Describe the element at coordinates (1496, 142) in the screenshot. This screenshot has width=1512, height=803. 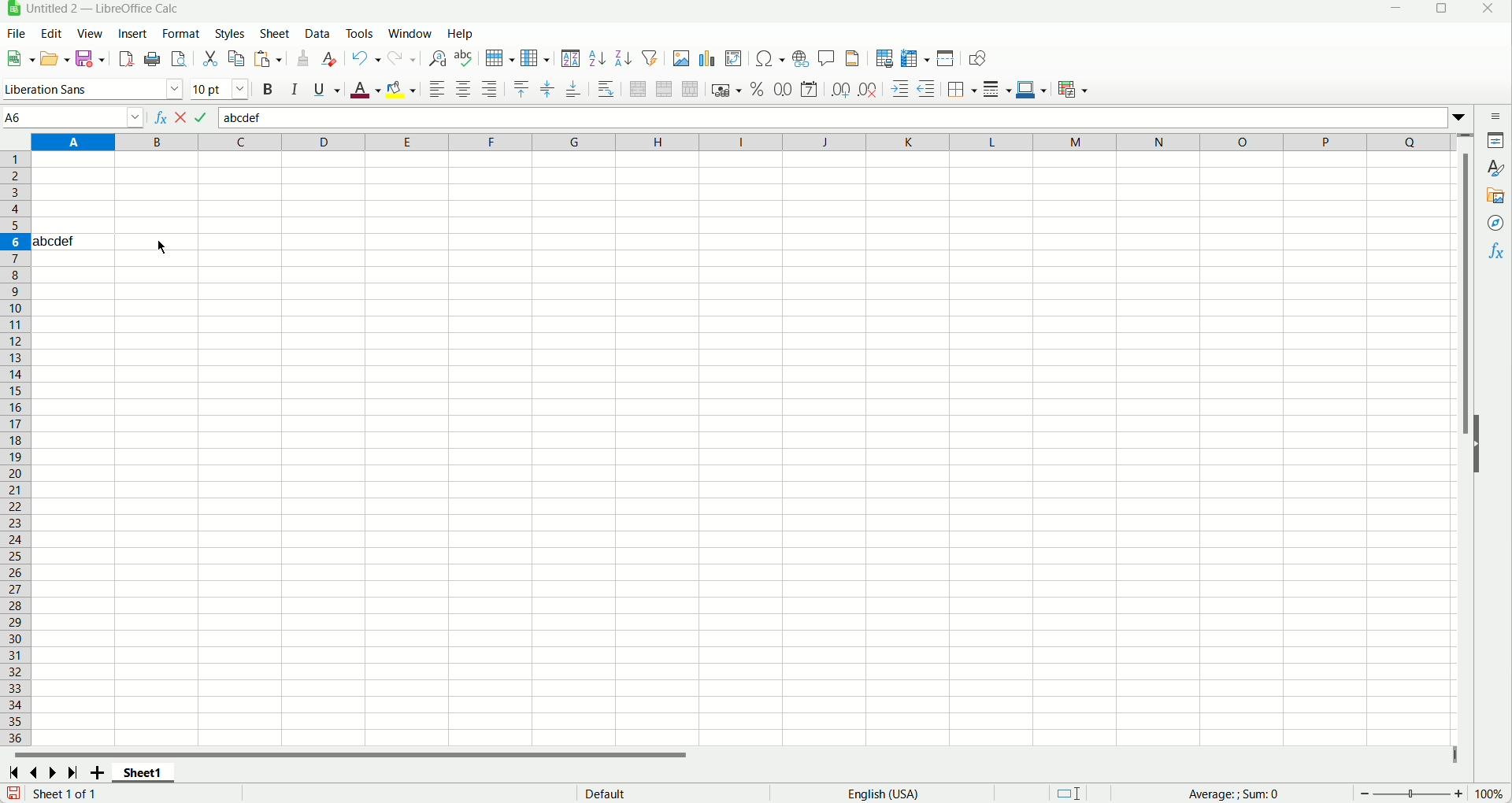
I see `properties` at that location.